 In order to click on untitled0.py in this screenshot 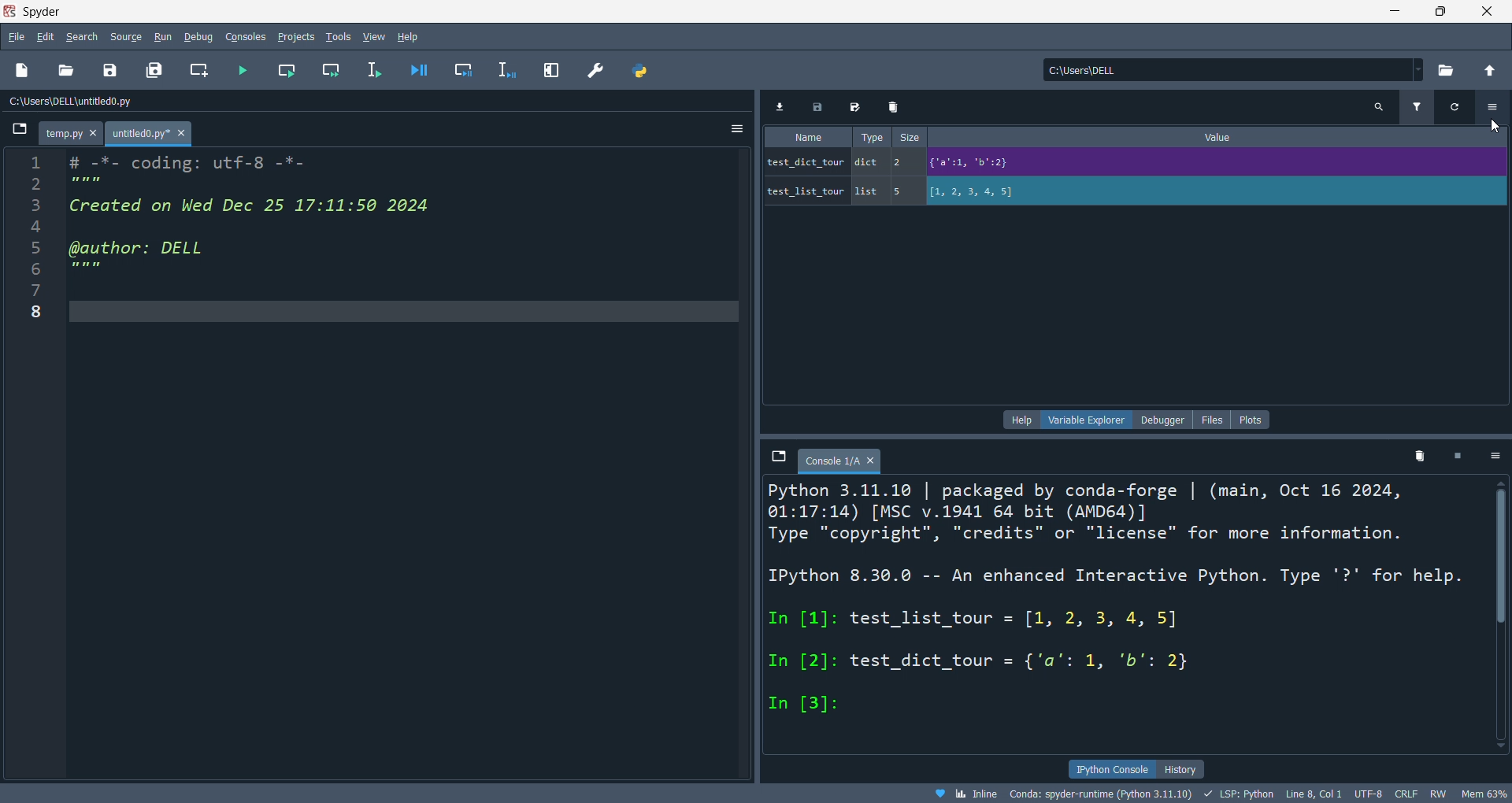, I will do `click(149, 134)`.